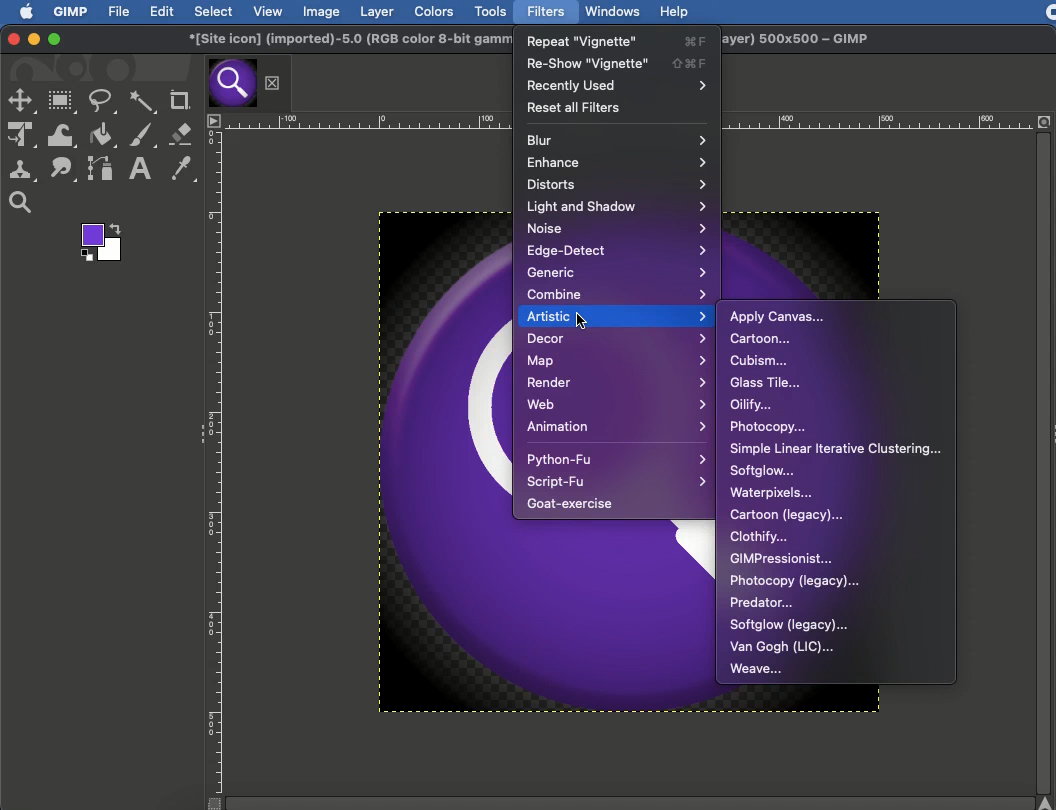  I want to click on Enhance, so click(615, 161).